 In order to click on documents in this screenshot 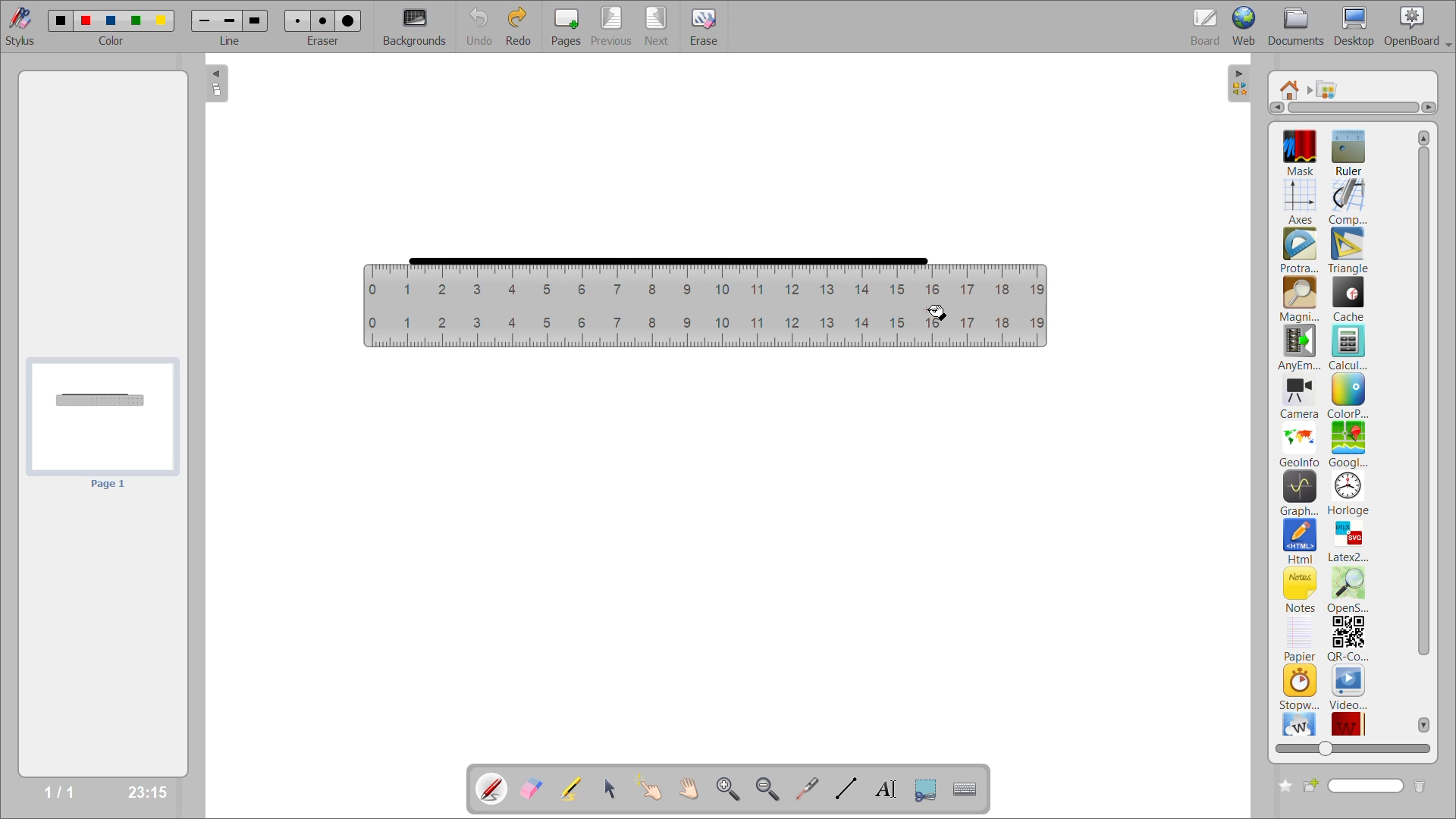, I will do `click(1298, 27)`.